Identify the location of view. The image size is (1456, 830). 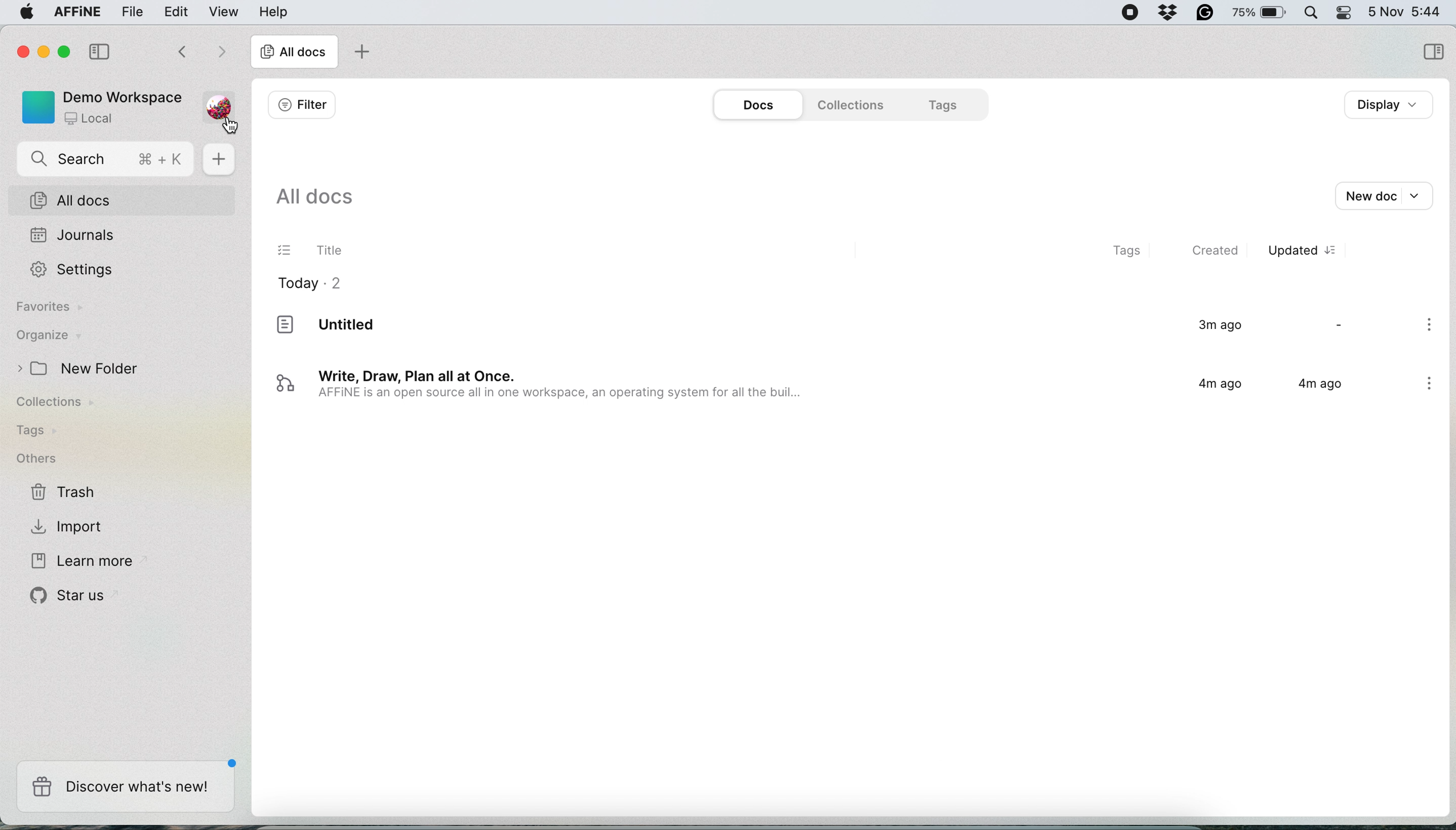
(226, 11).